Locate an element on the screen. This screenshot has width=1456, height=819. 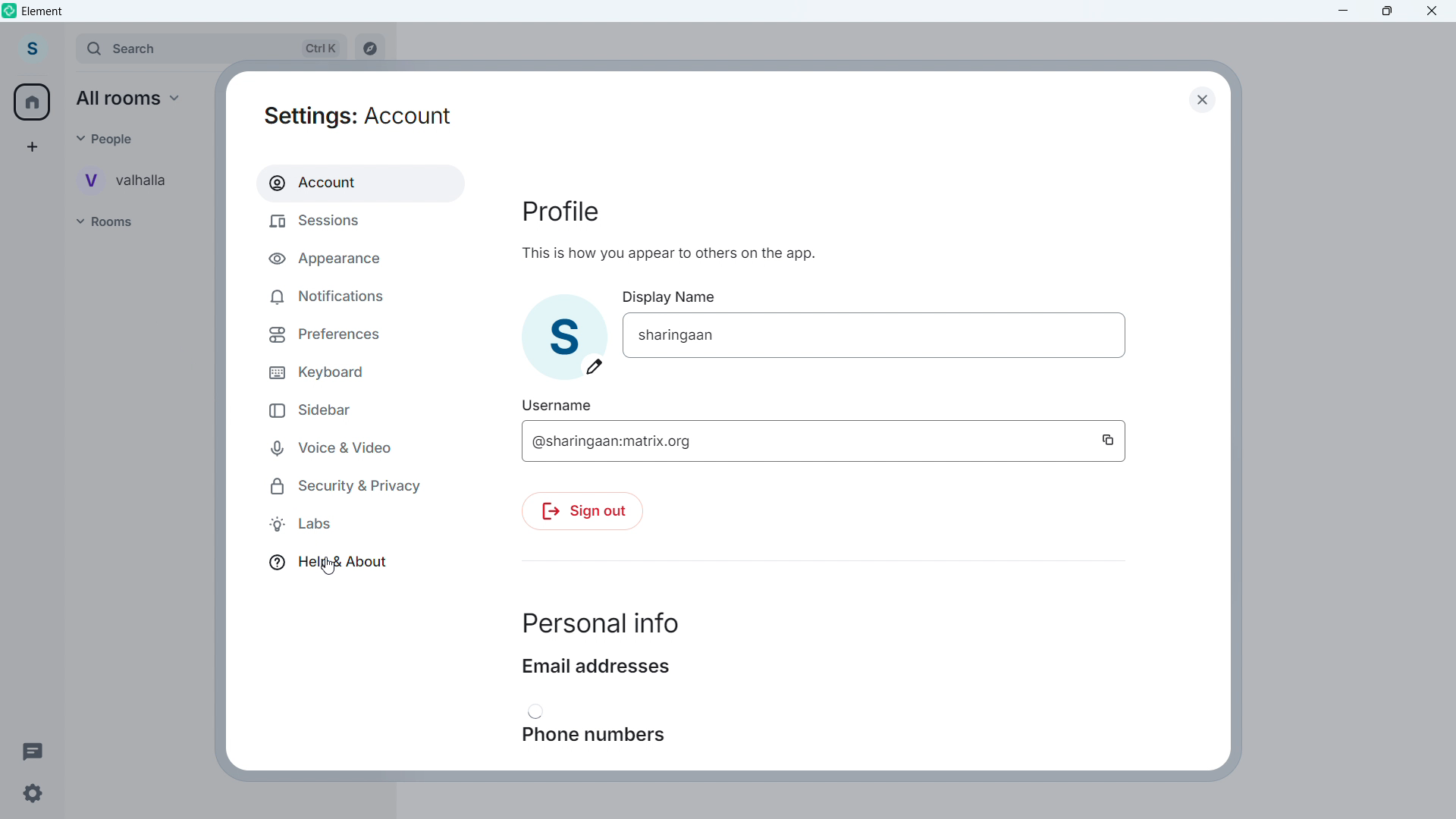
Profile  is located at coordinates (660, 211).